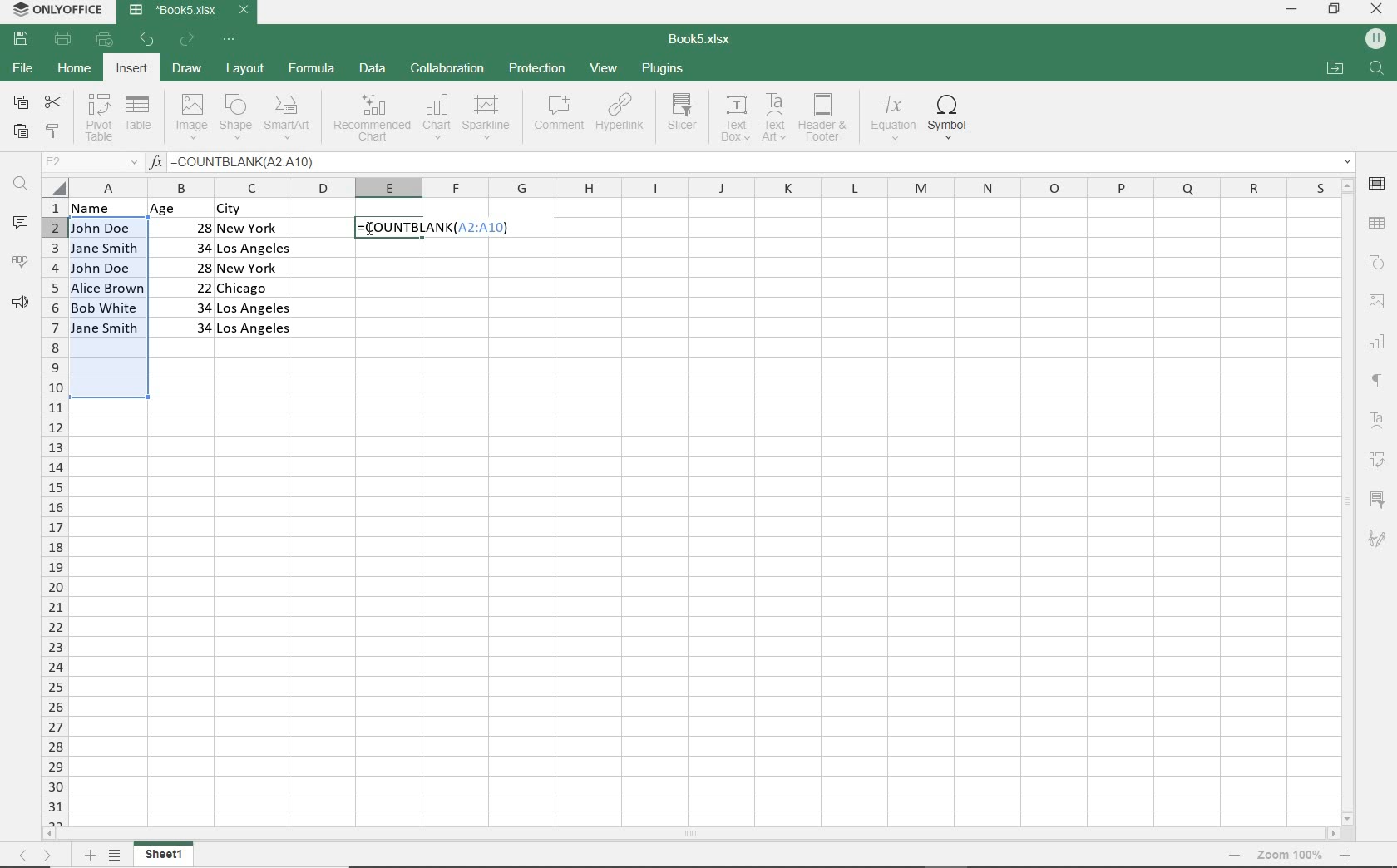 The image size is (1397, 868). What do you see at coordinates (1377, 544) in the screenshot?
I see `SIGNATURE` at bounding box center [1377, 544].